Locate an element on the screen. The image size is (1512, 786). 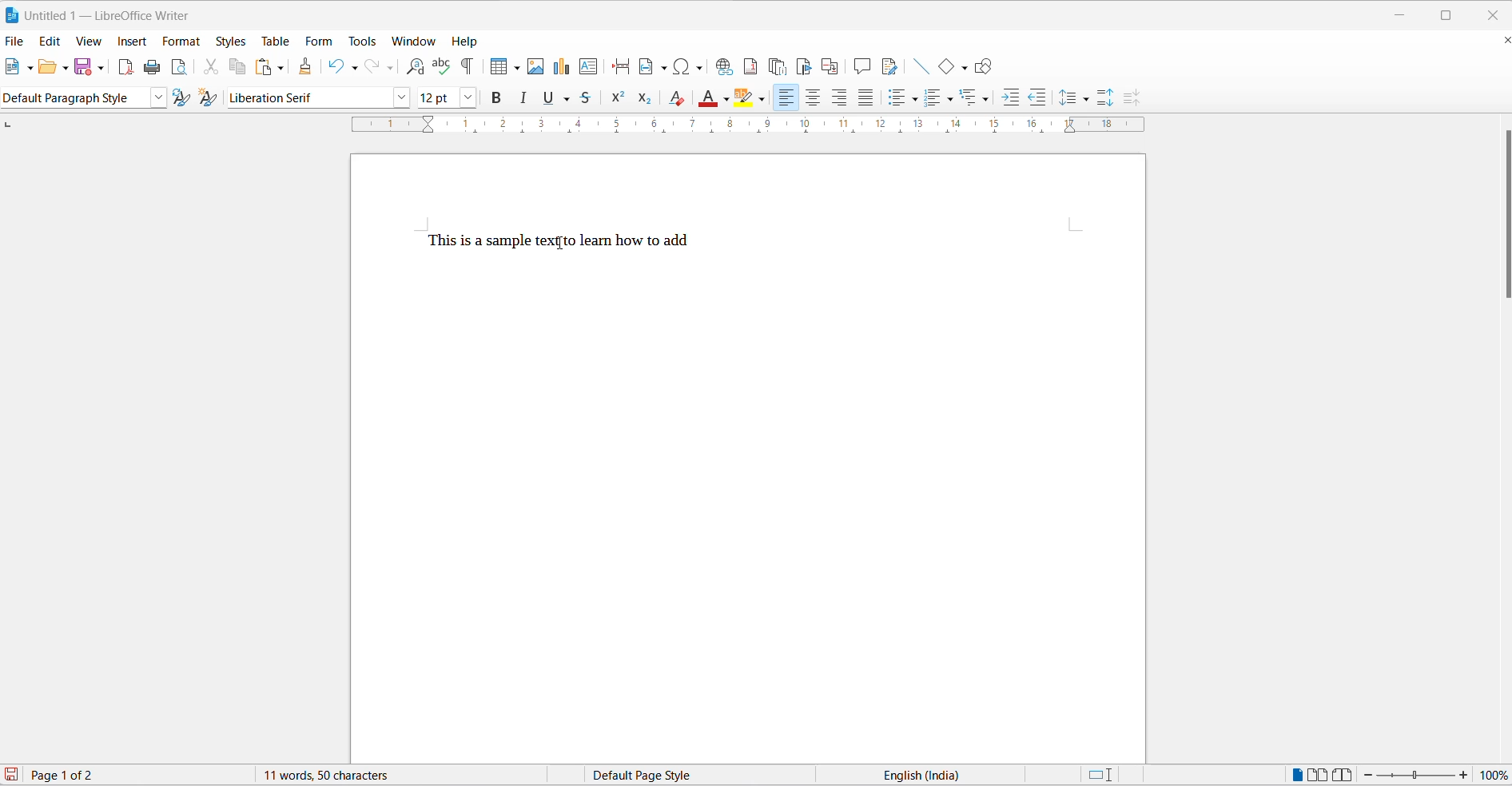
cut is located at coordinates (215, 67).